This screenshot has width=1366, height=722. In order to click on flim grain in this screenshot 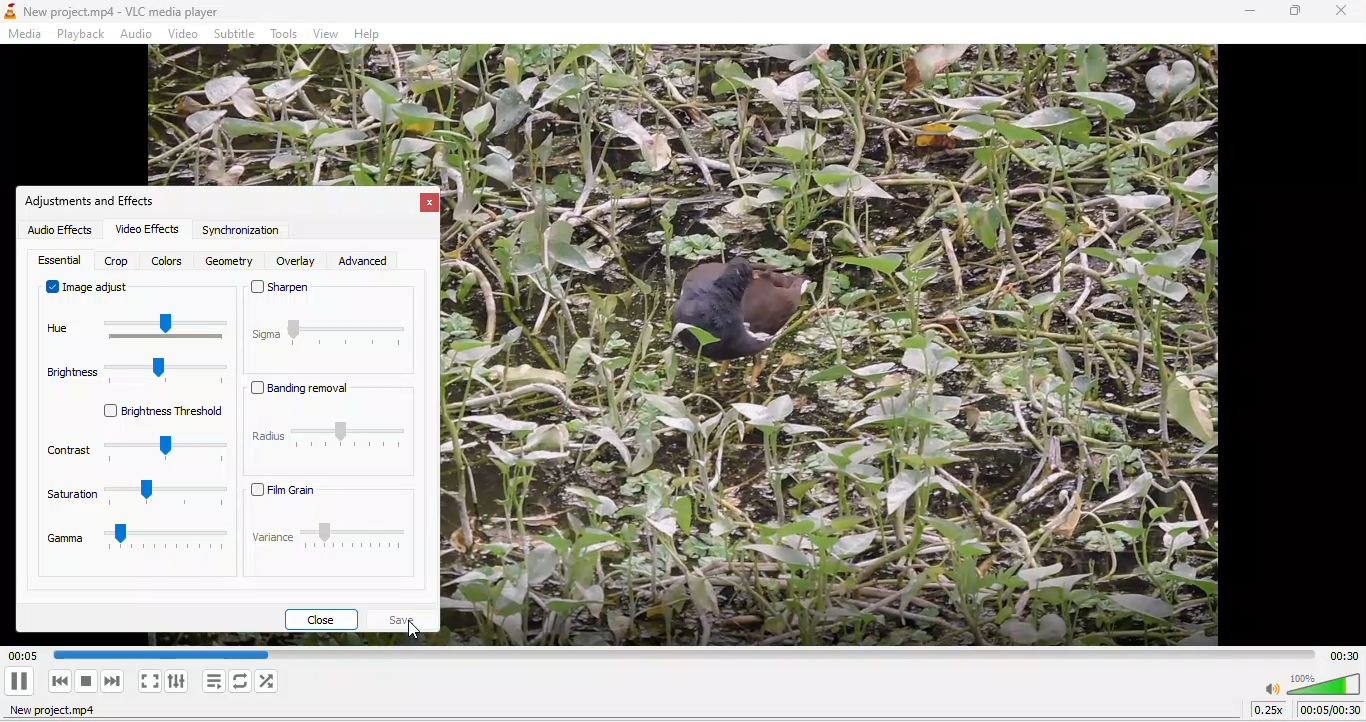, I will do `click(332, 491)`.